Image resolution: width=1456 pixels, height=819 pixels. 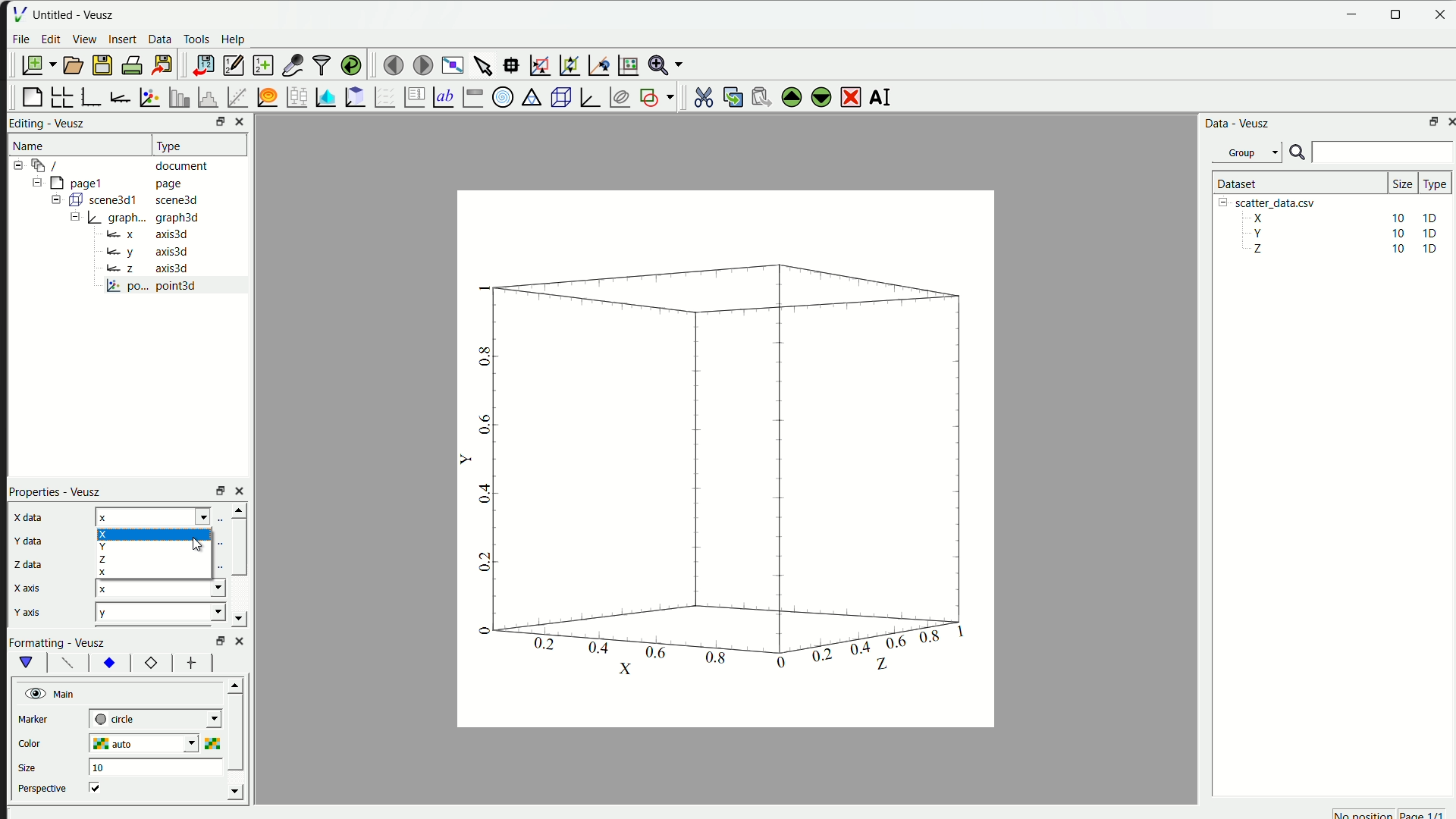 What do you see at coordinates (559, 96) in the screenshot?
I see `3D scene` at bounding box center [559, 96].